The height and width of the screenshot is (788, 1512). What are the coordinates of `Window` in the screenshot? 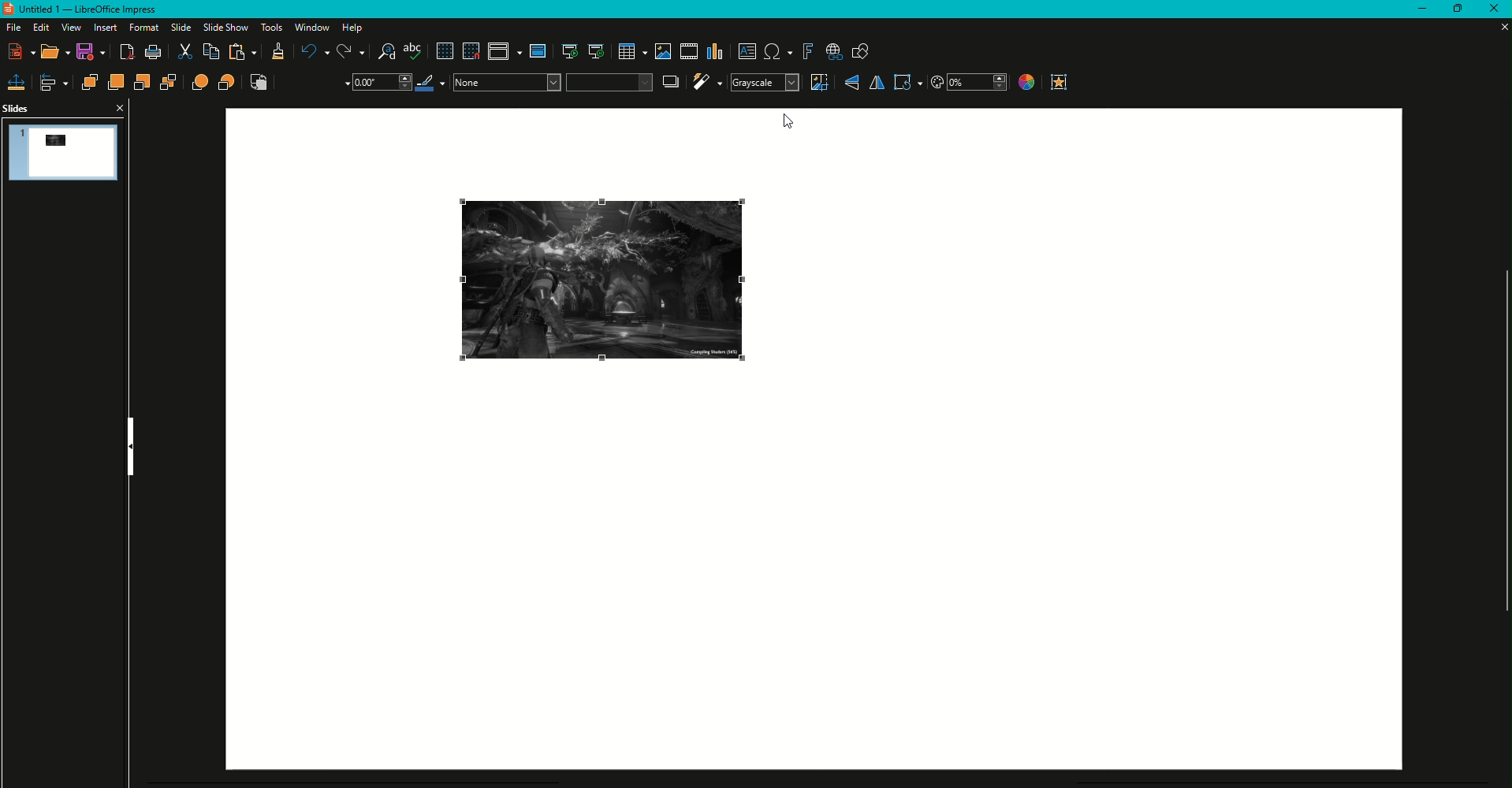 It's located at (310, 28).